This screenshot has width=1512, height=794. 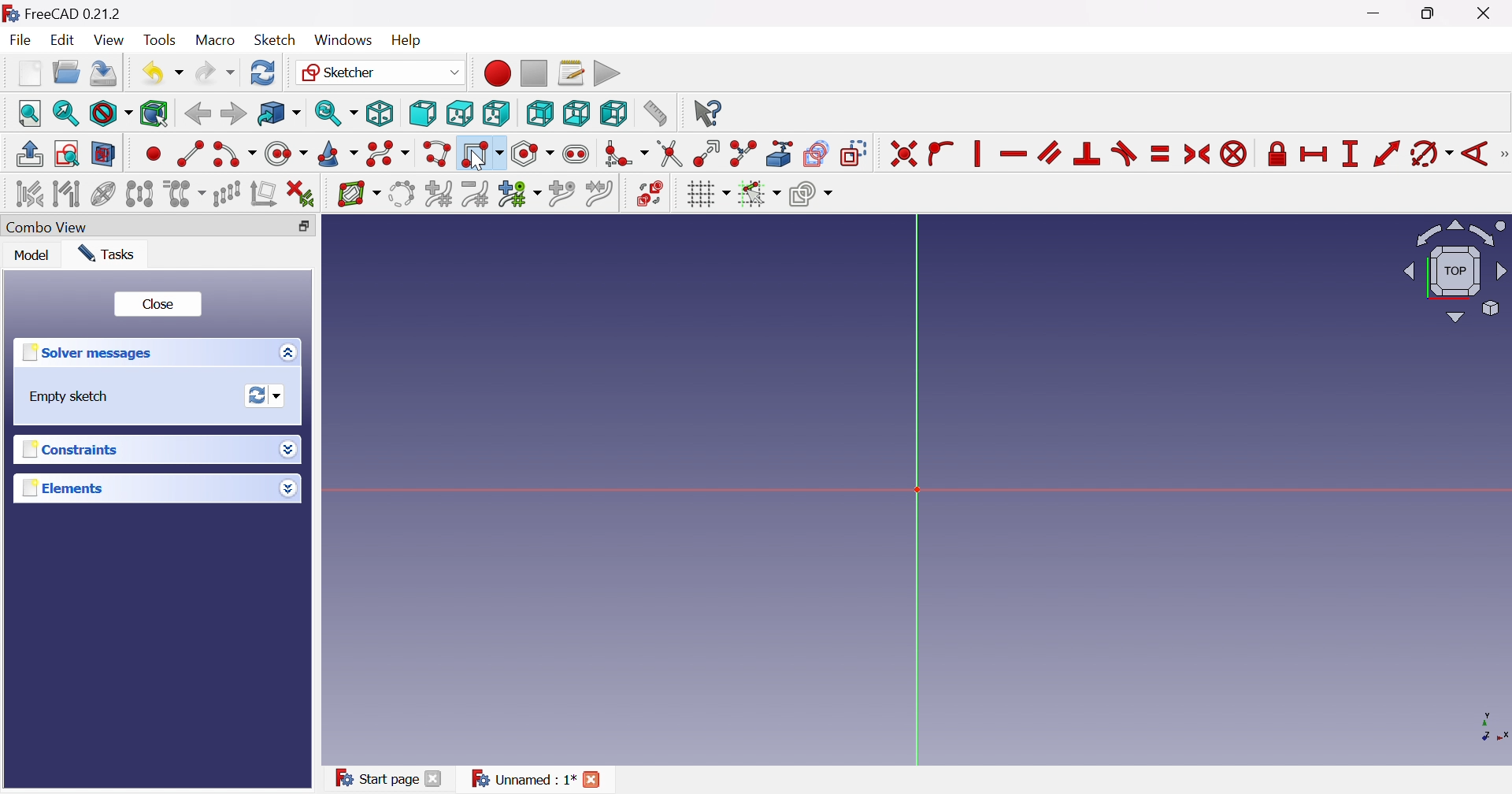 I want to click on Create point, so click(x=153, y=156).